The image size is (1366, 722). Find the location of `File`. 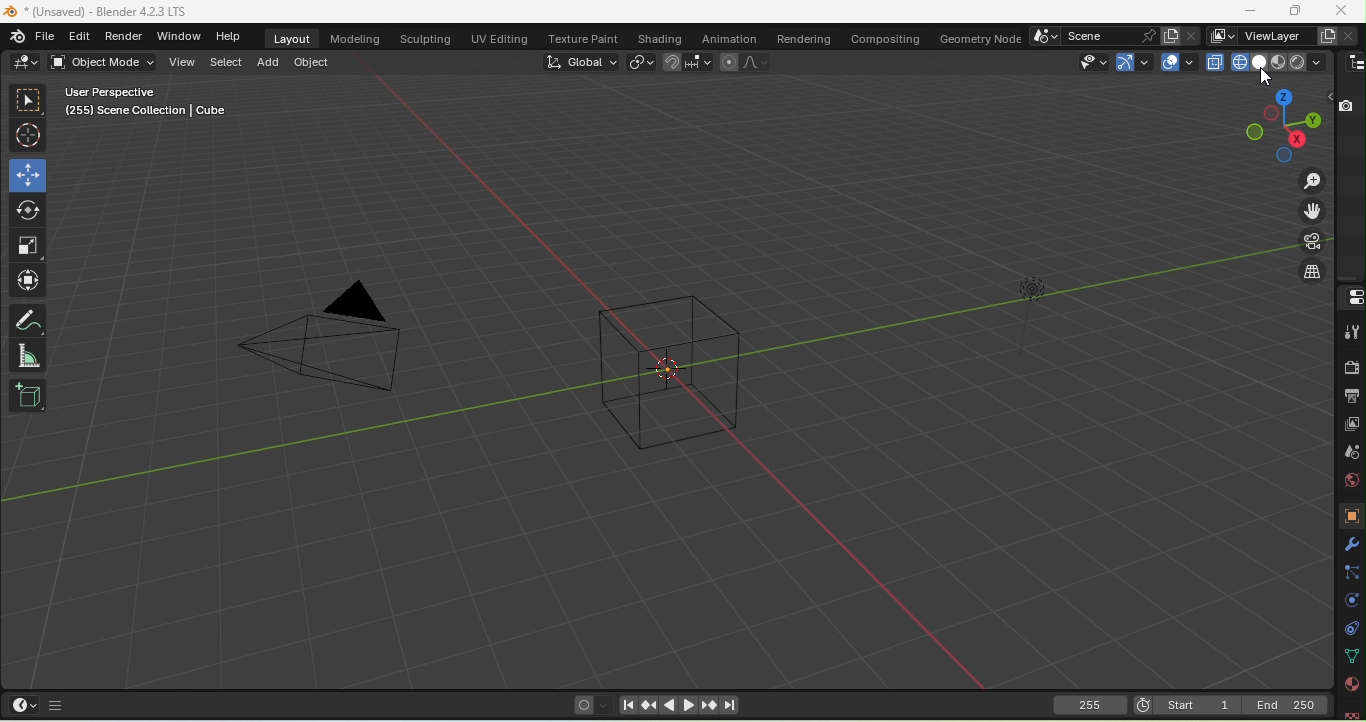

File is located at coordinates (93, 12).